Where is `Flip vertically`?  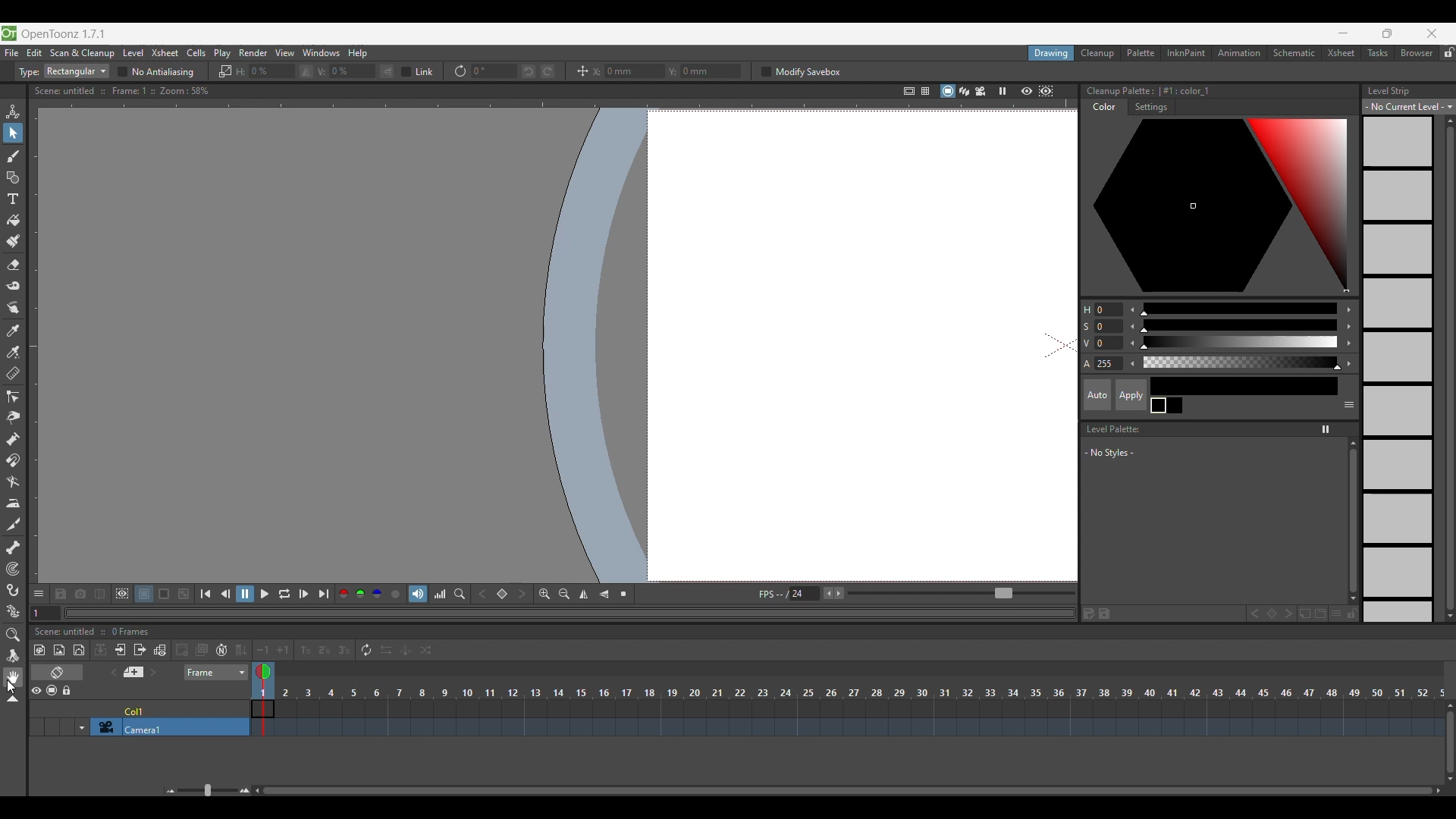
Flip vertically is located at coordinates (387, 71).